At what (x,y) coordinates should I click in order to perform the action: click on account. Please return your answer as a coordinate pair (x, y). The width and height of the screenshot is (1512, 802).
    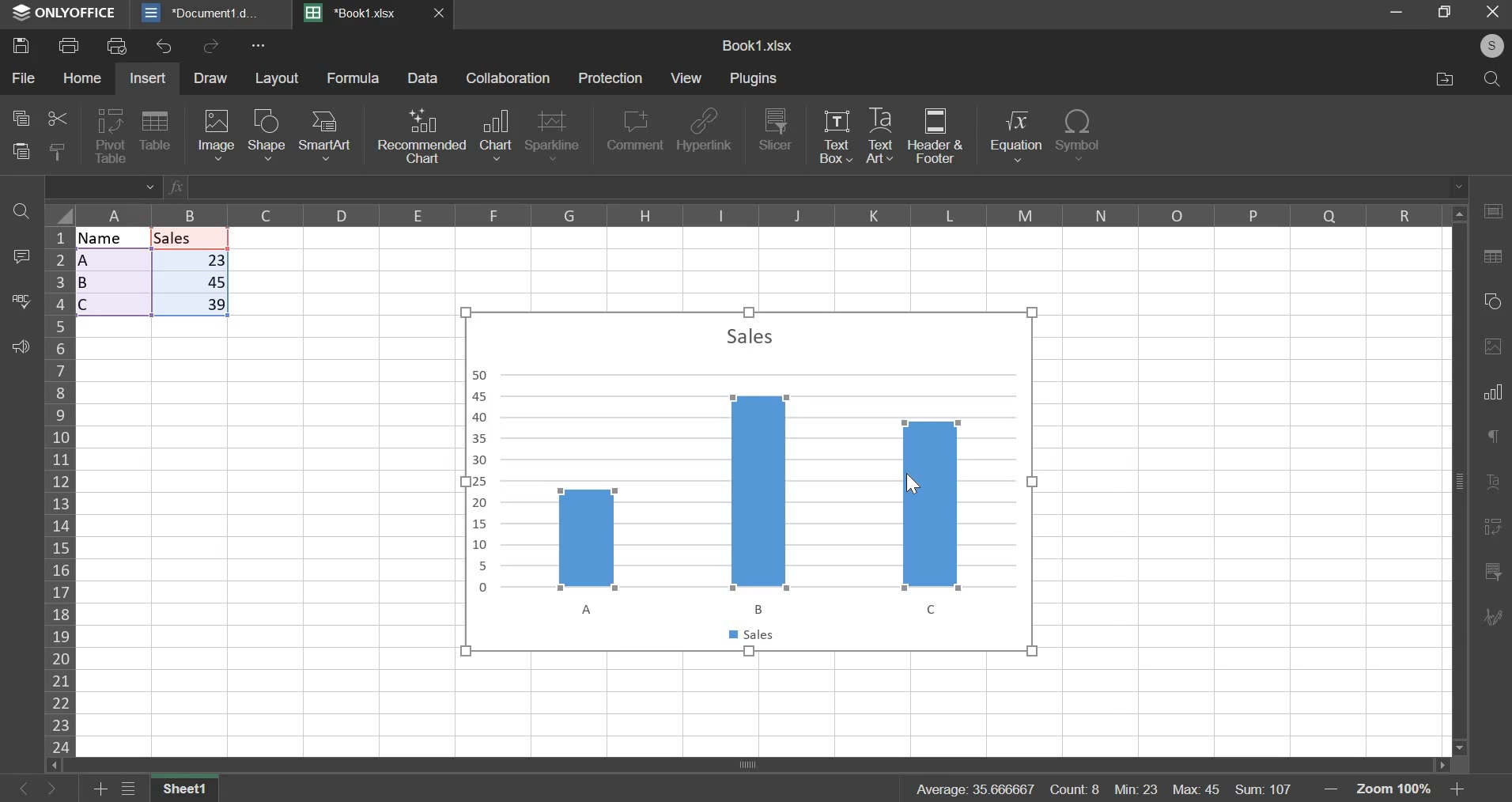
    Looking at the image, I should click on (1488, 50).